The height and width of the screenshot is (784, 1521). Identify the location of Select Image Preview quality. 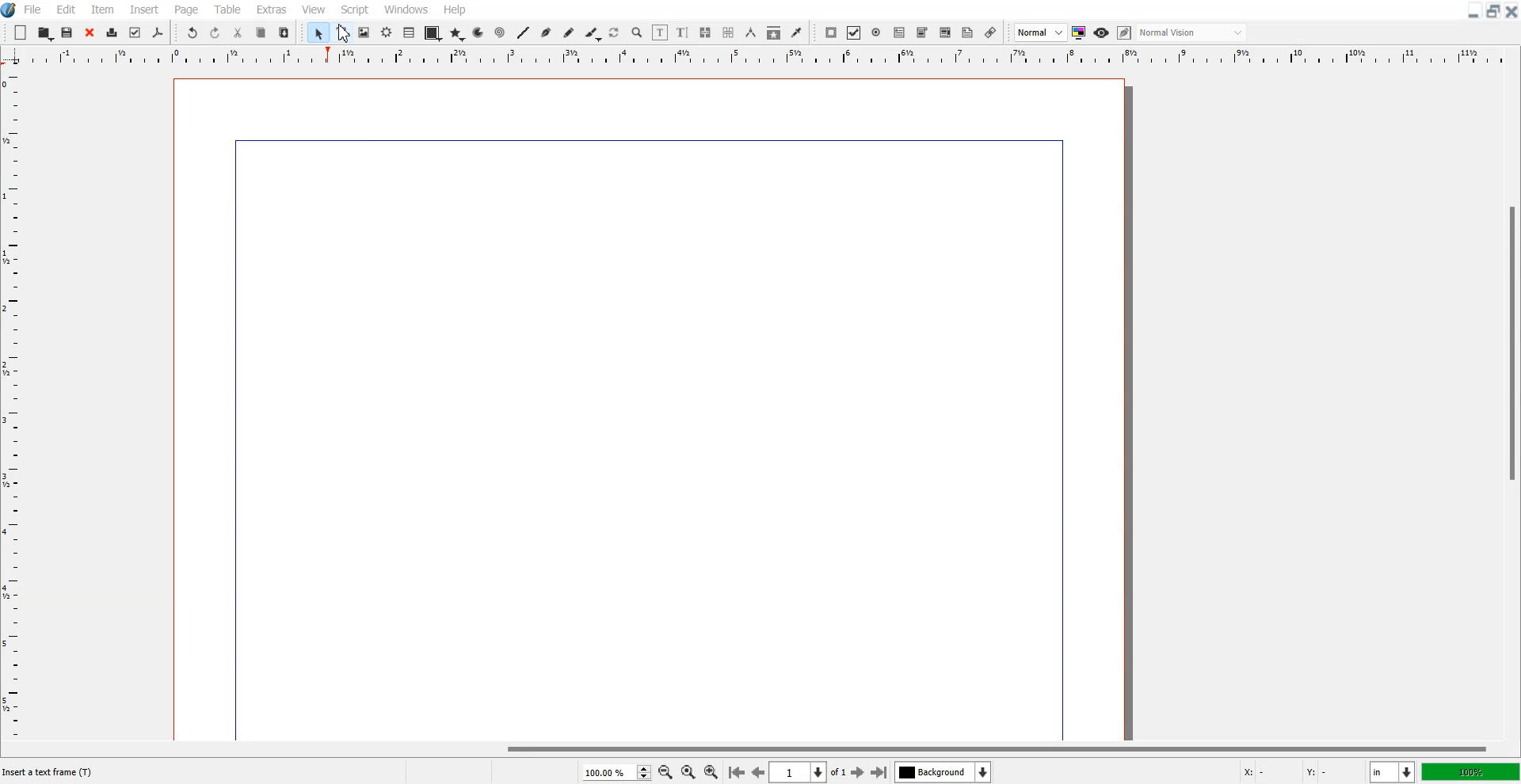
(1041, 32).